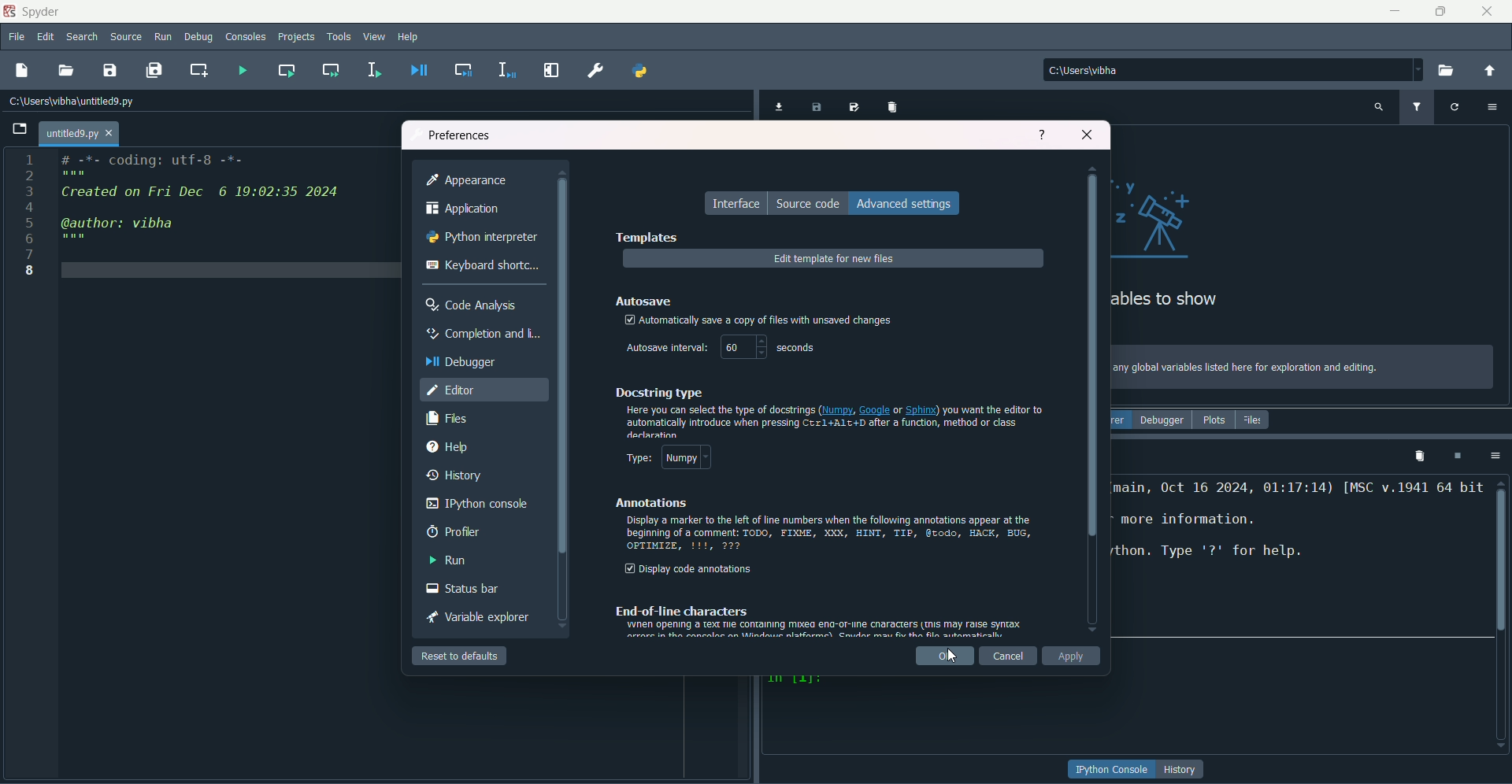 Image resolution: width=1512 pixels, height=784 pixels. I want to click on keyboard shortcut, so click(484, 264).